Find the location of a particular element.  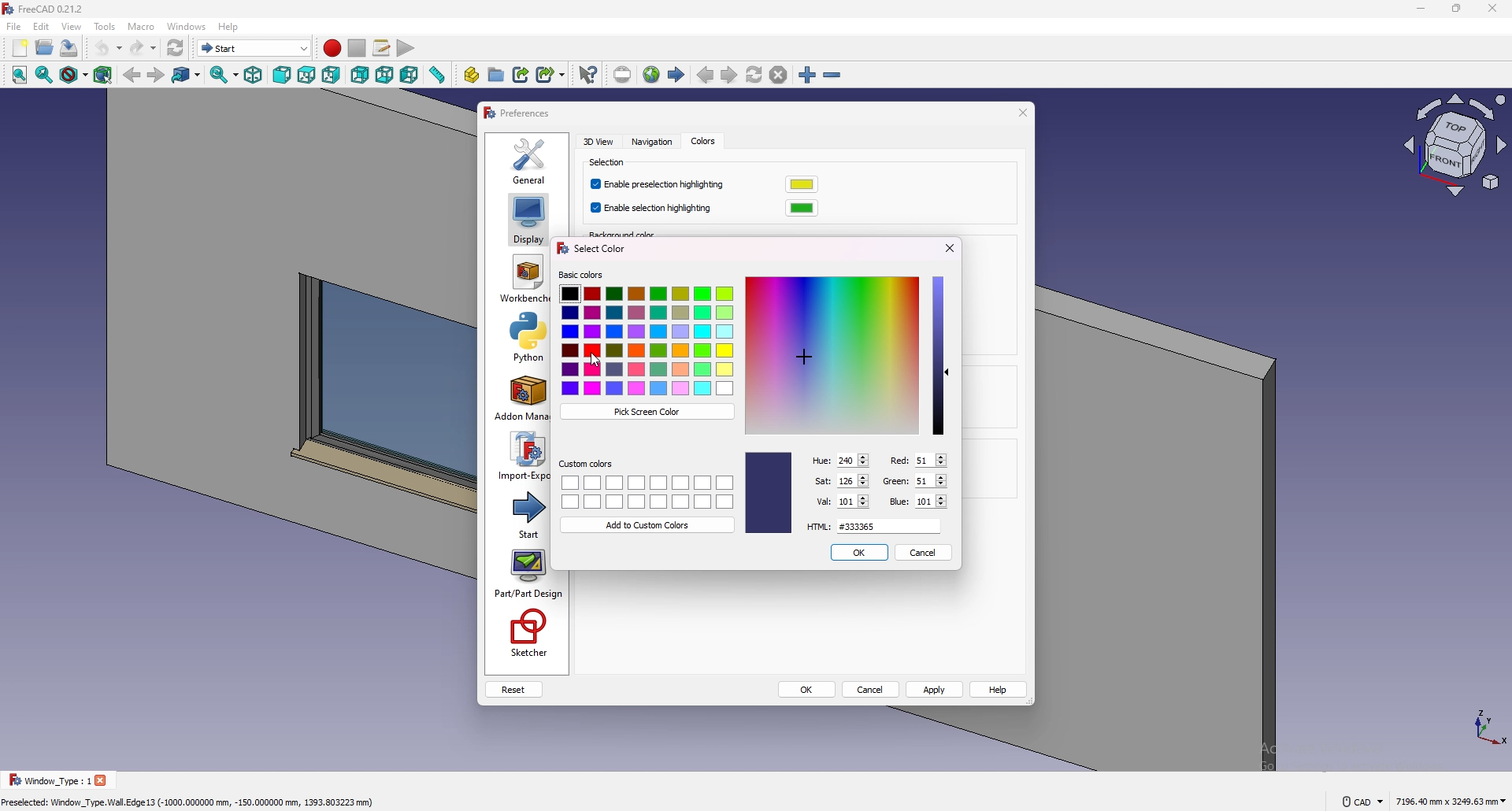

macro is located at coordinates (142, 27).